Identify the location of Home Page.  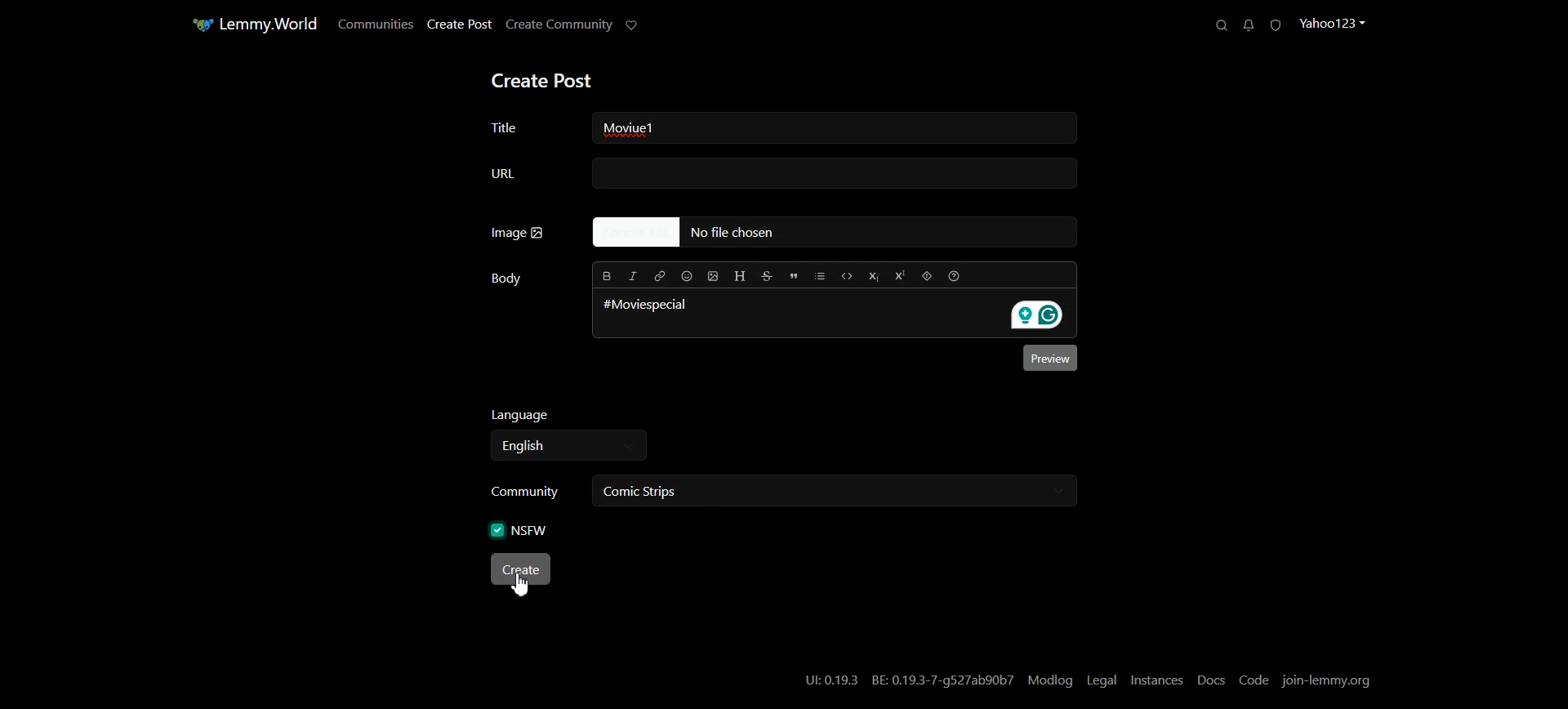
(245, 25).